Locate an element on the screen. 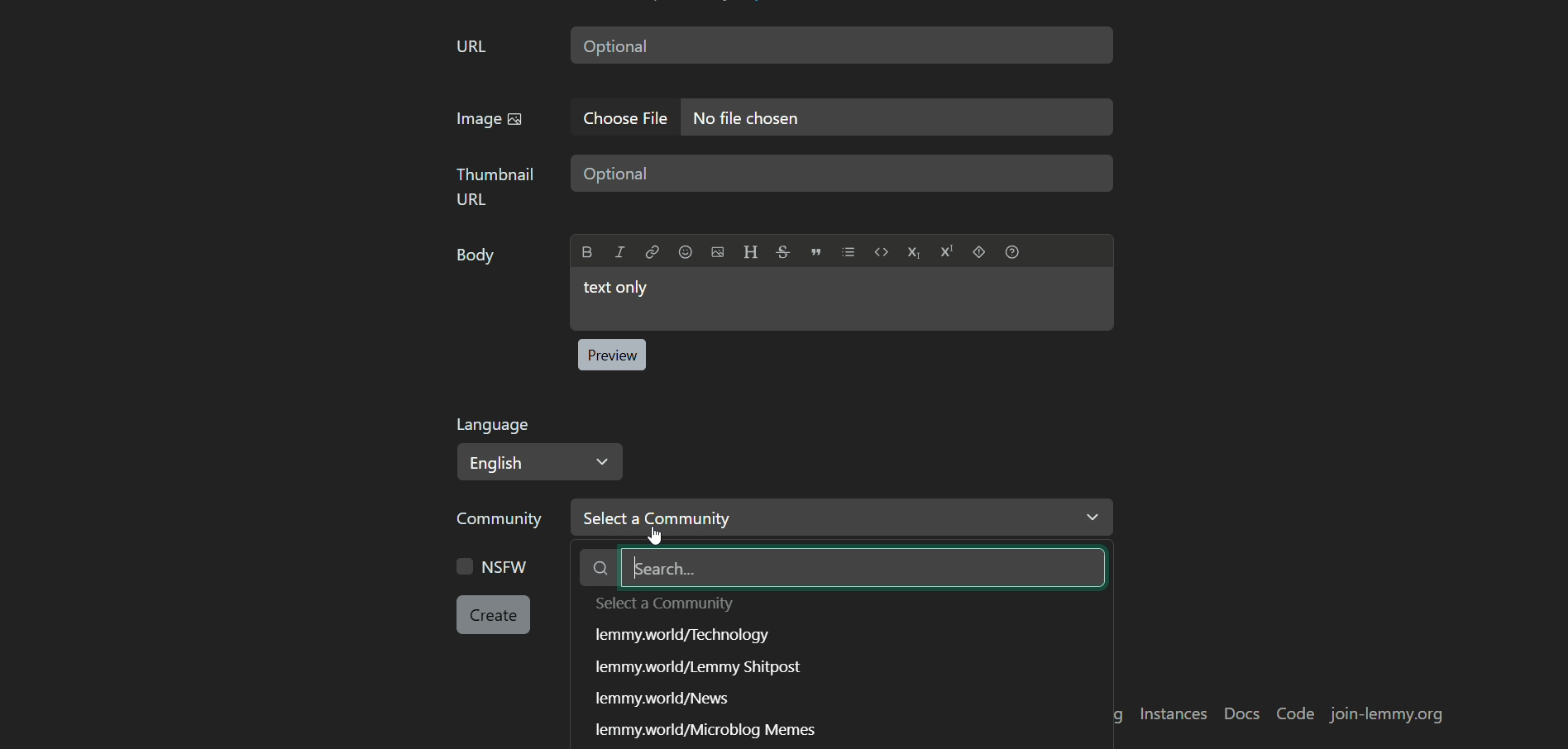  cursor is located at coordinates (655, 518).